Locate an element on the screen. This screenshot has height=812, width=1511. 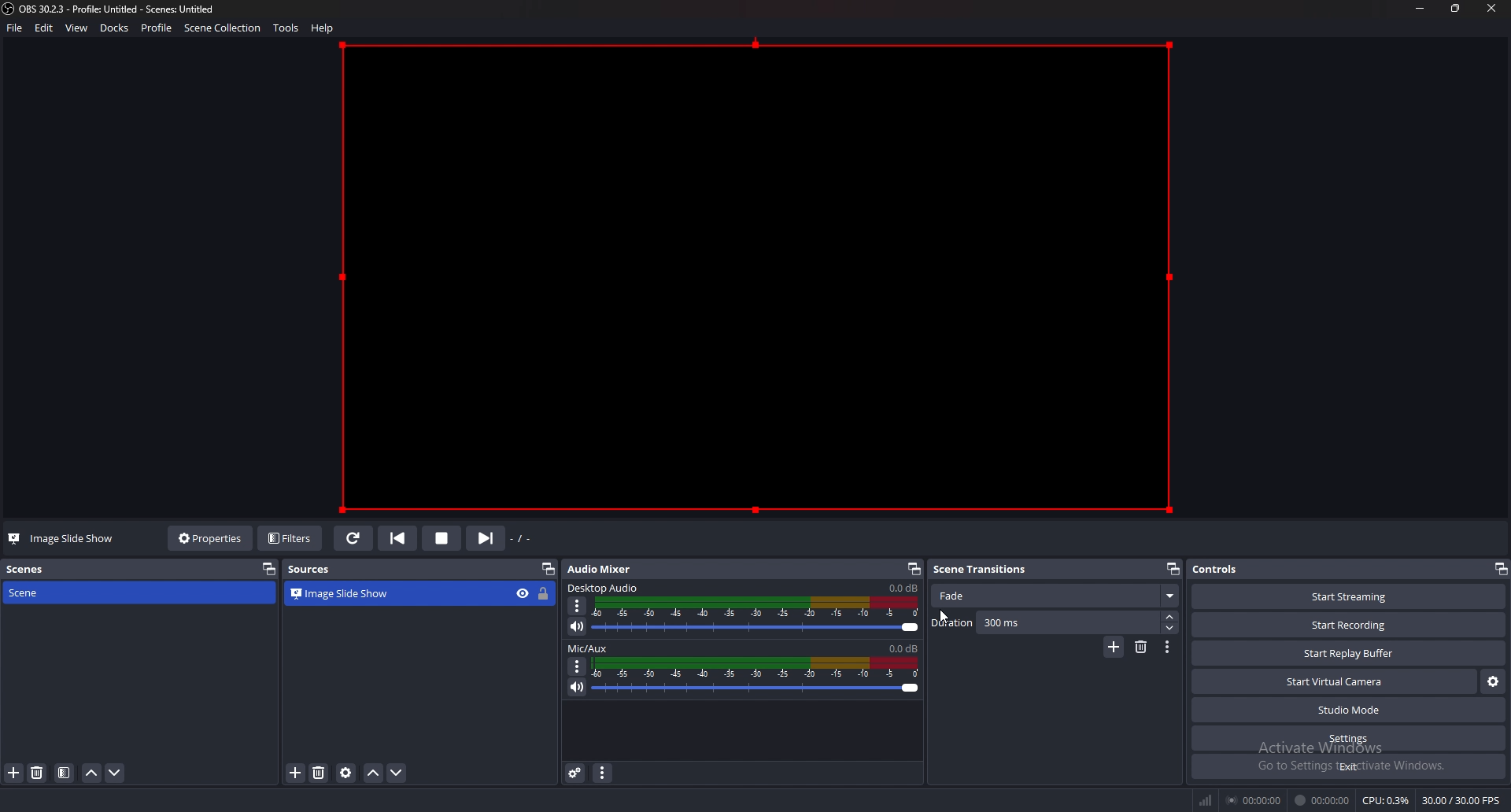
streaming time is located at coordinates (1255, 800).